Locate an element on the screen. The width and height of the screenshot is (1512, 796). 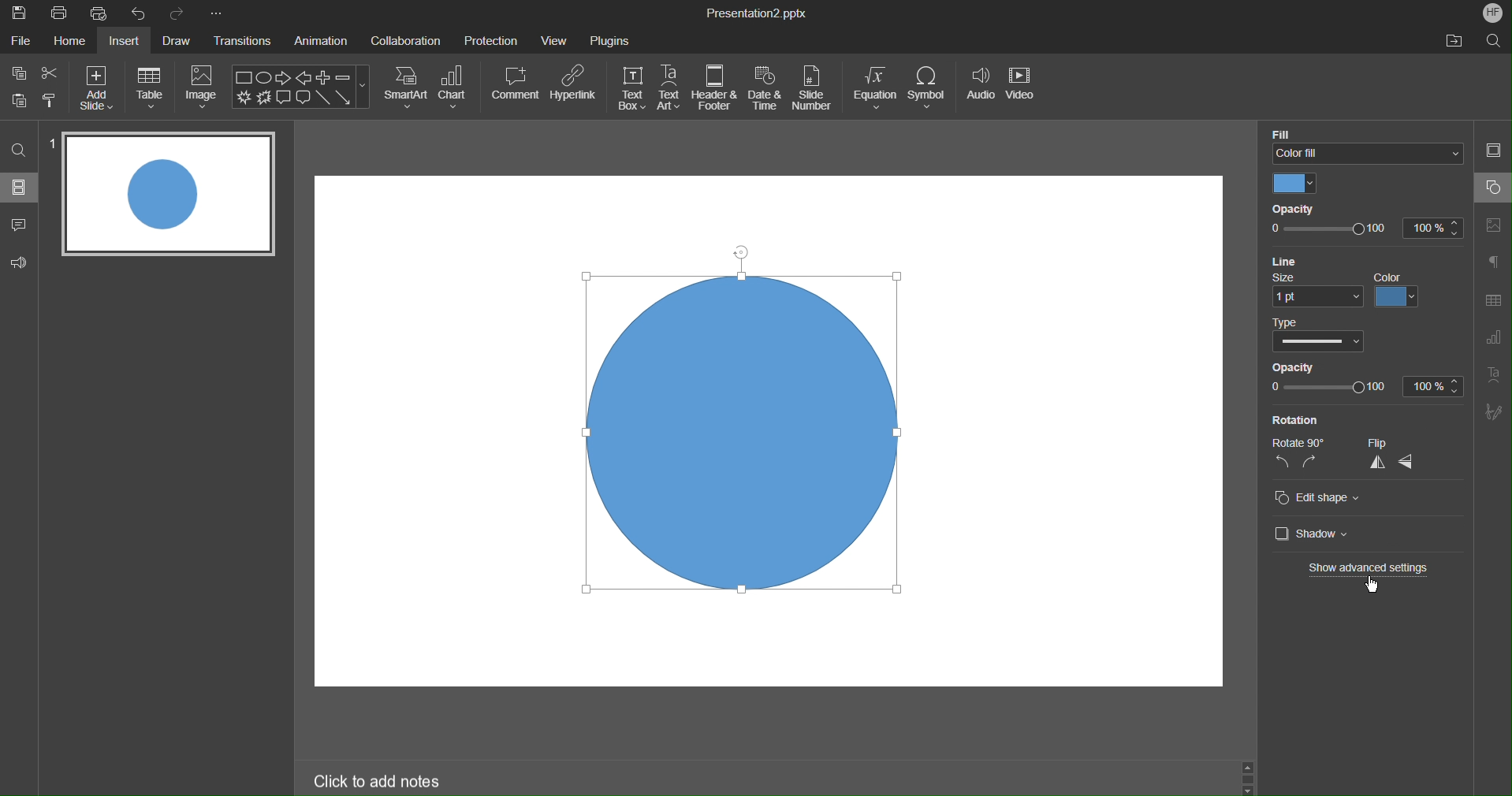
workspace is located at coordinates (1084, 400).